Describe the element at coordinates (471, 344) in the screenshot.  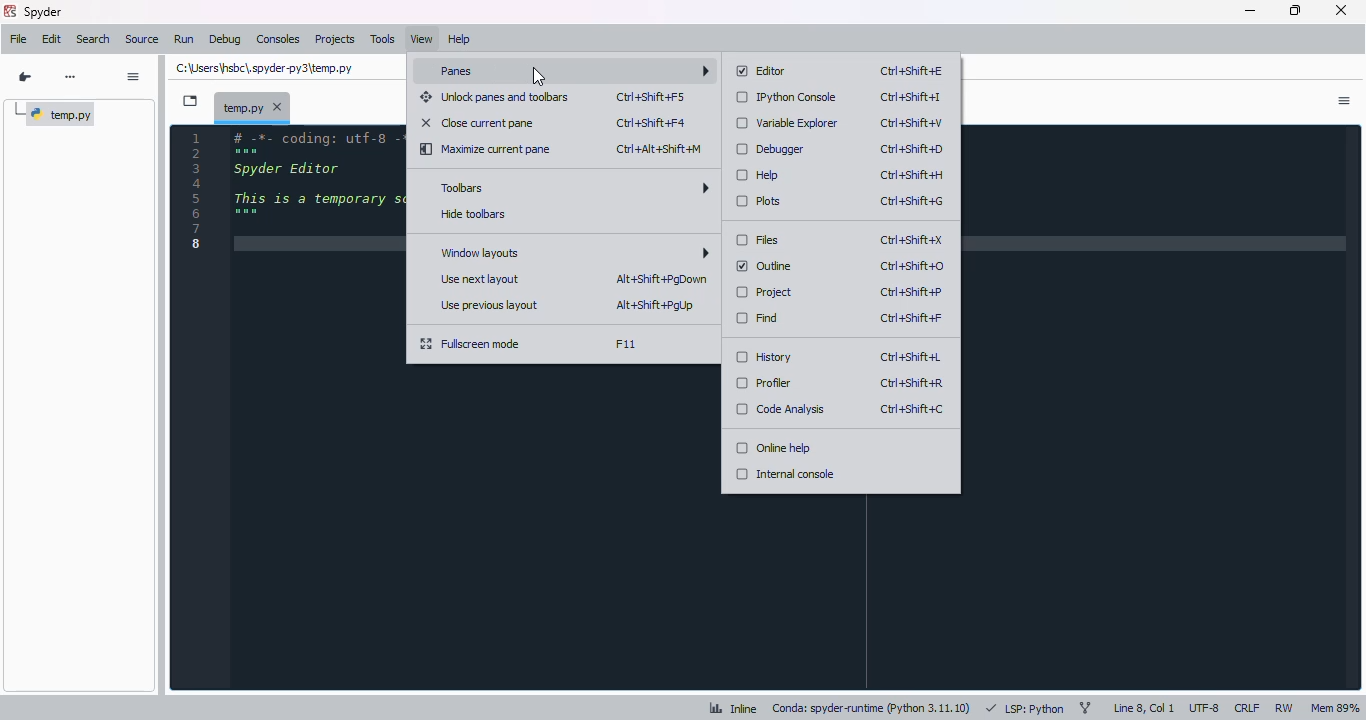
I see `fullscreen mode` at that location.